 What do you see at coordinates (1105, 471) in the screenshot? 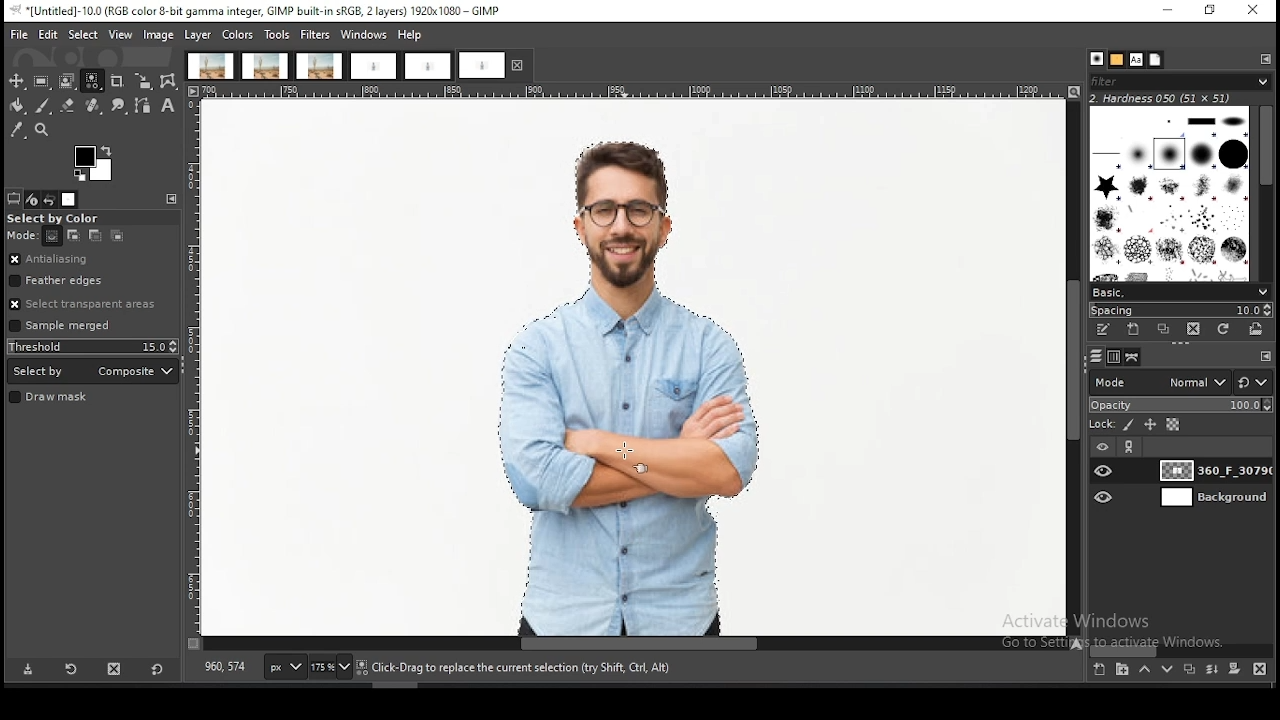
I see `layer visibility on/off` at bounding box center [1105, 471].